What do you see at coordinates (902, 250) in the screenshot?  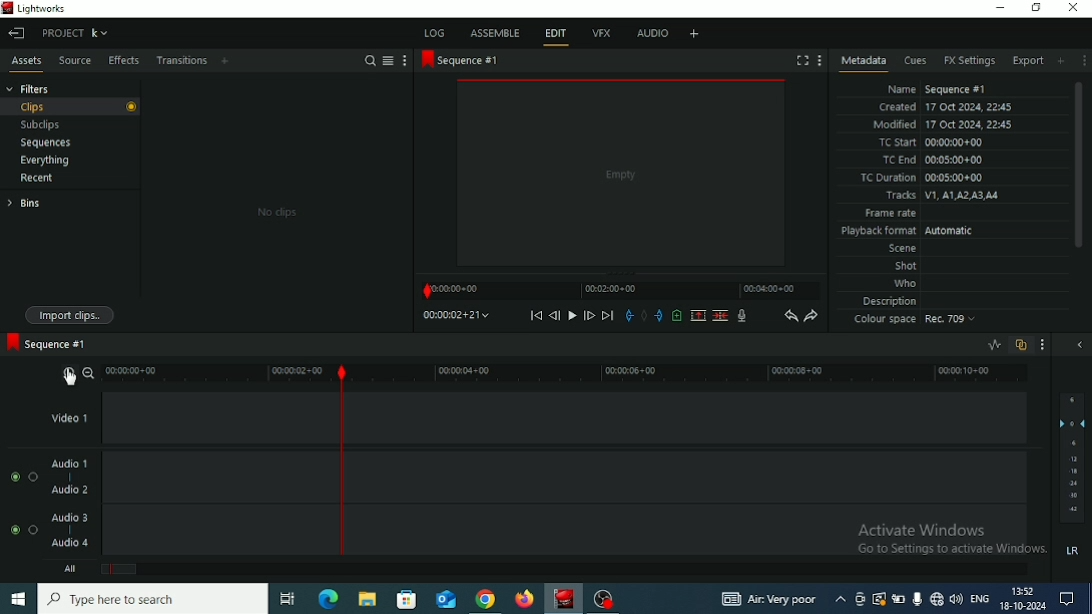 I see `Scene` at bounding box center [902, 250].